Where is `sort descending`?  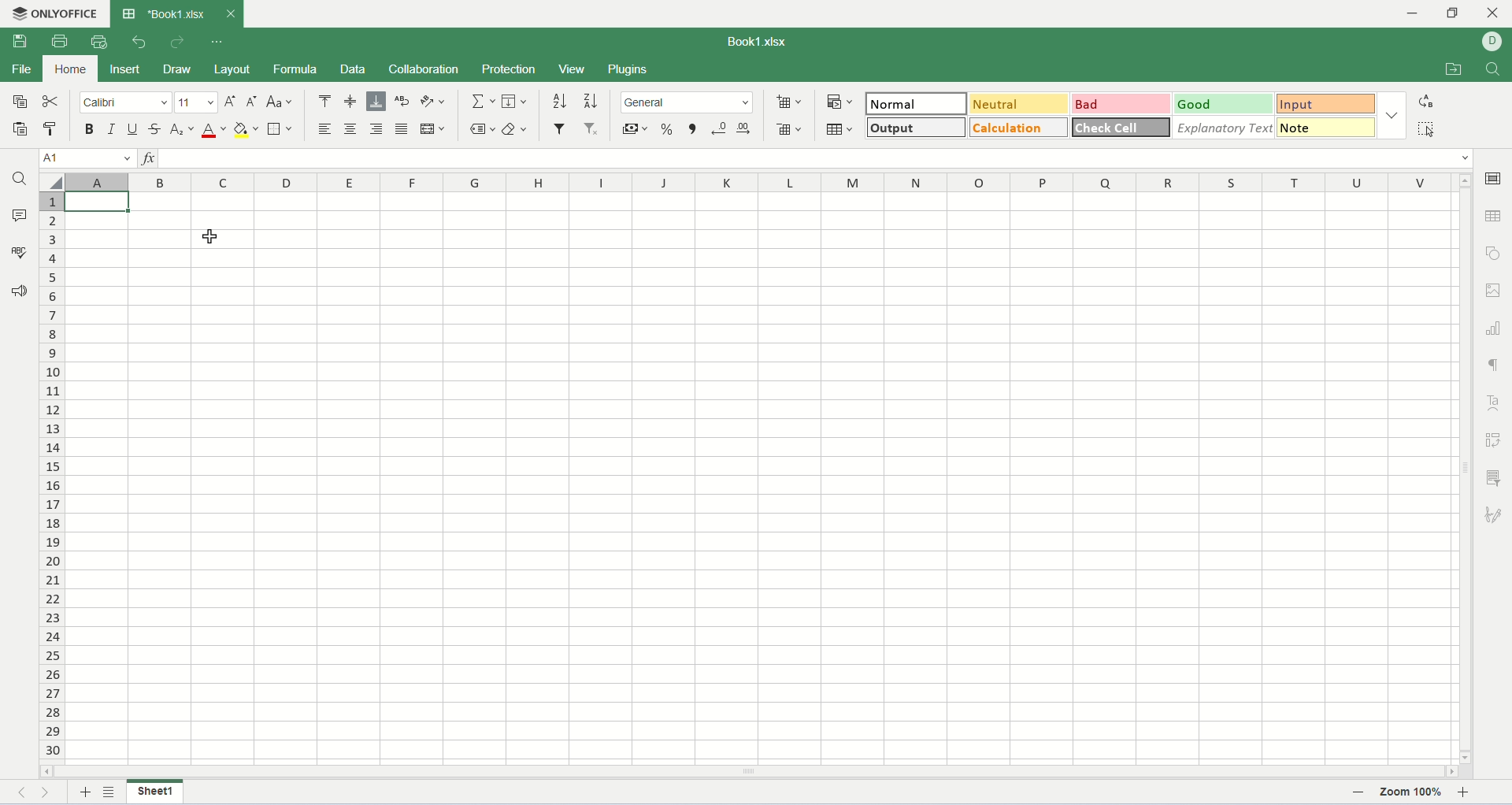 sort descending is located at coordinates (590, 101).